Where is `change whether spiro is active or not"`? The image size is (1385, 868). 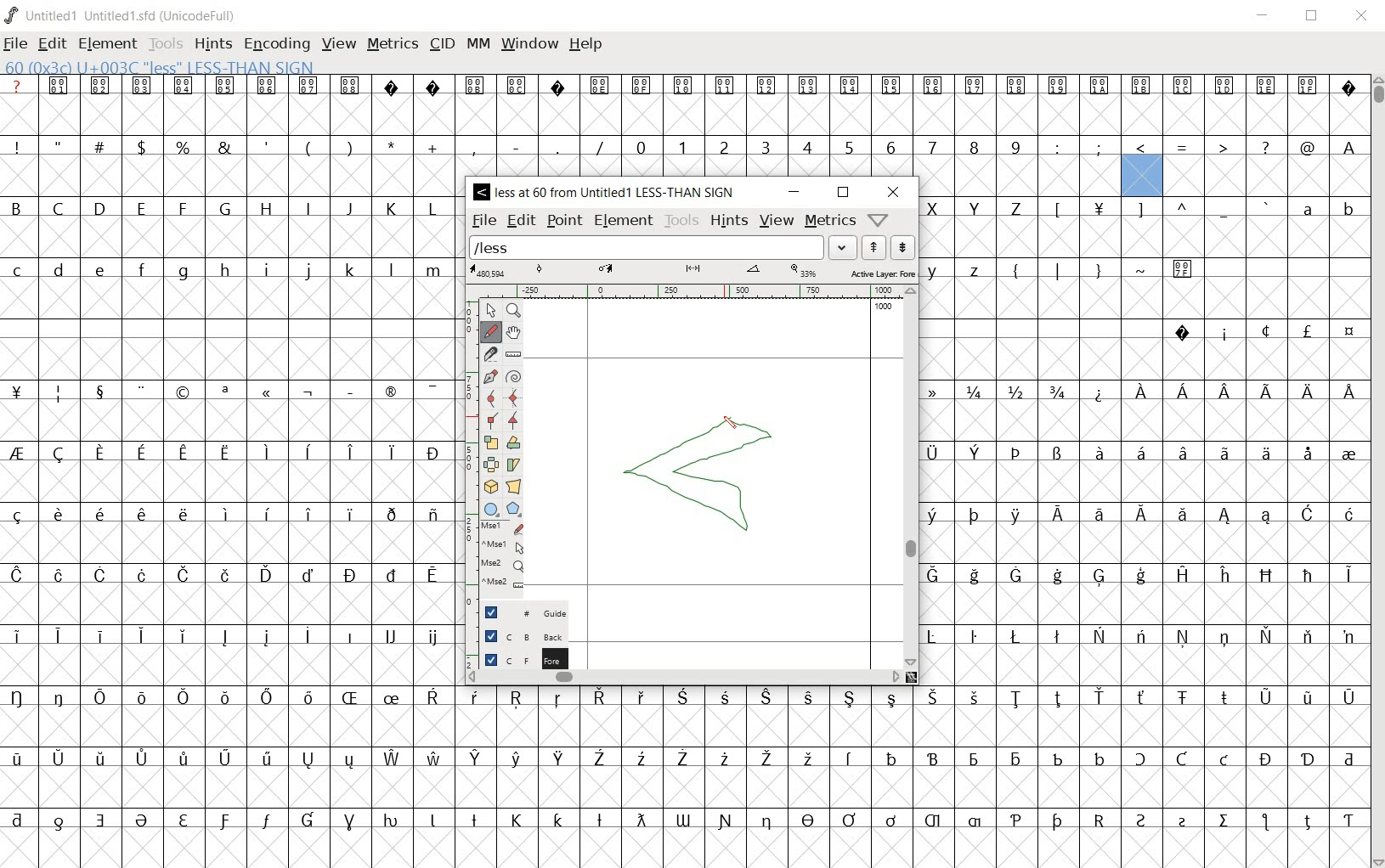 change whether spiro is active or not" is located at coordinates (512, 375).